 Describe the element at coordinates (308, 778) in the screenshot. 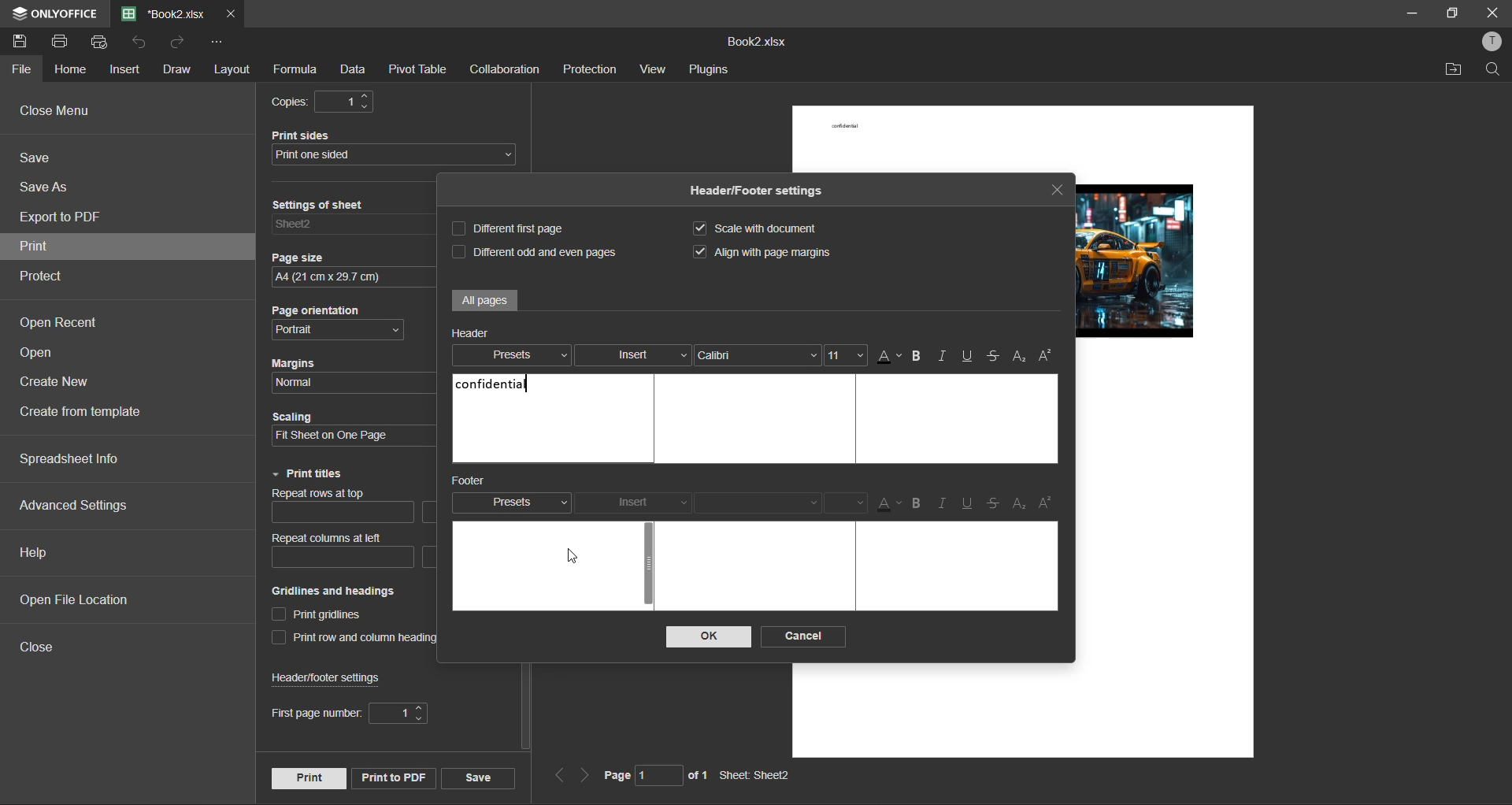

I see `print` at that location.